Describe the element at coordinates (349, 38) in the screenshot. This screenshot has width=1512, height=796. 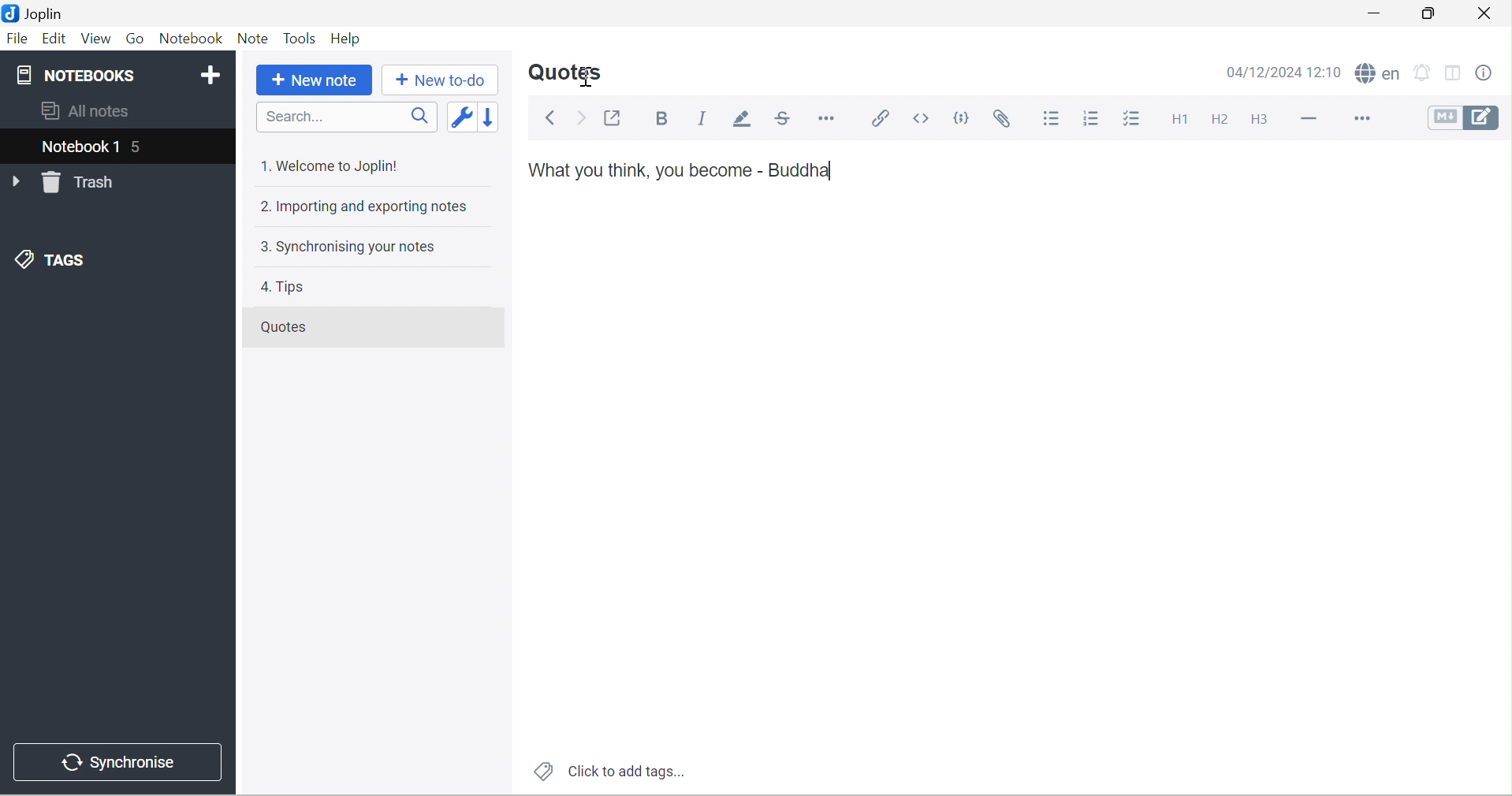
I see `Help` at that location.